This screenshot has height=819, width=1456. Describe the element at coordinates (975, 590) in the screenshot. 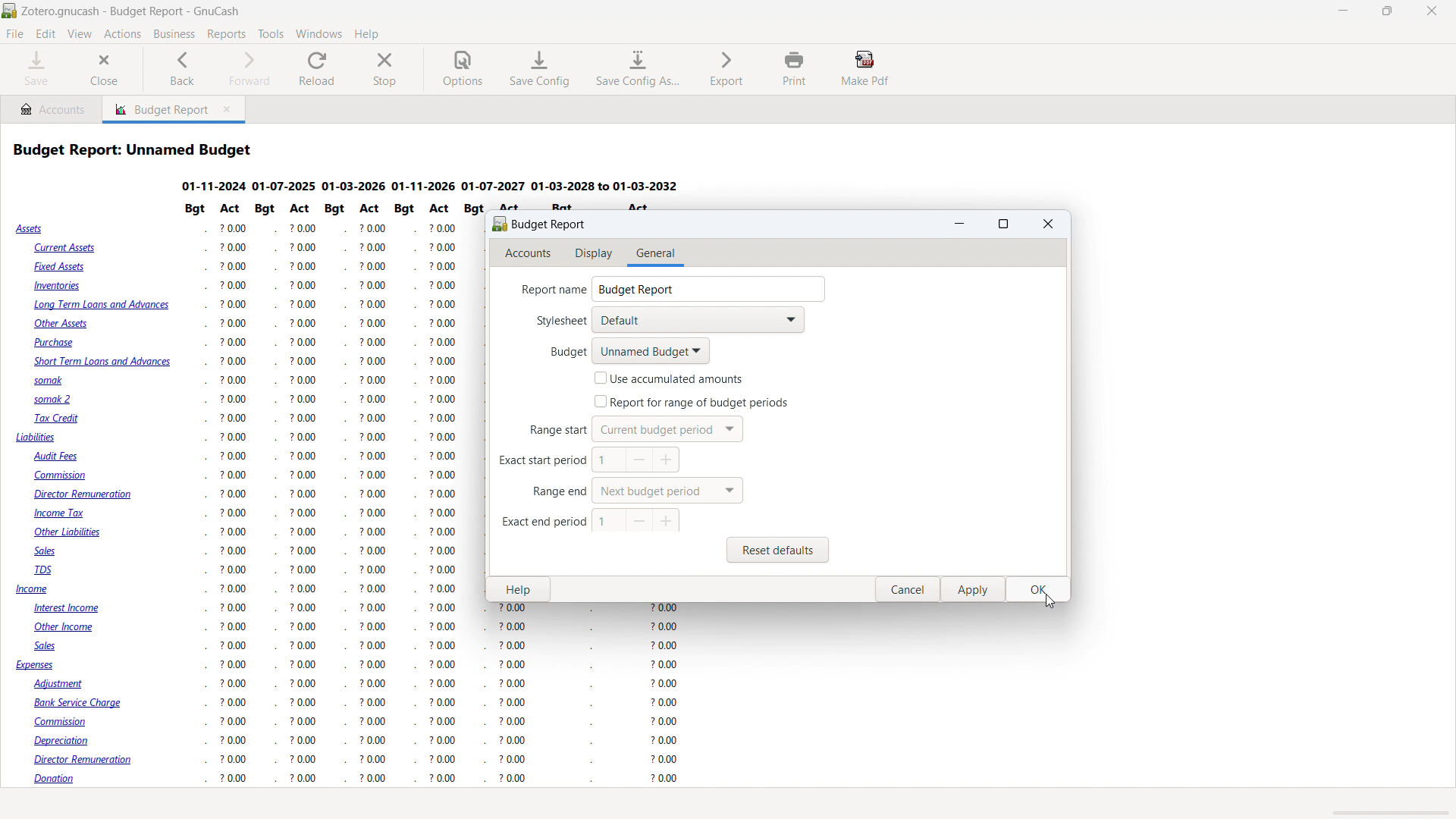

I see `apply` at that location.